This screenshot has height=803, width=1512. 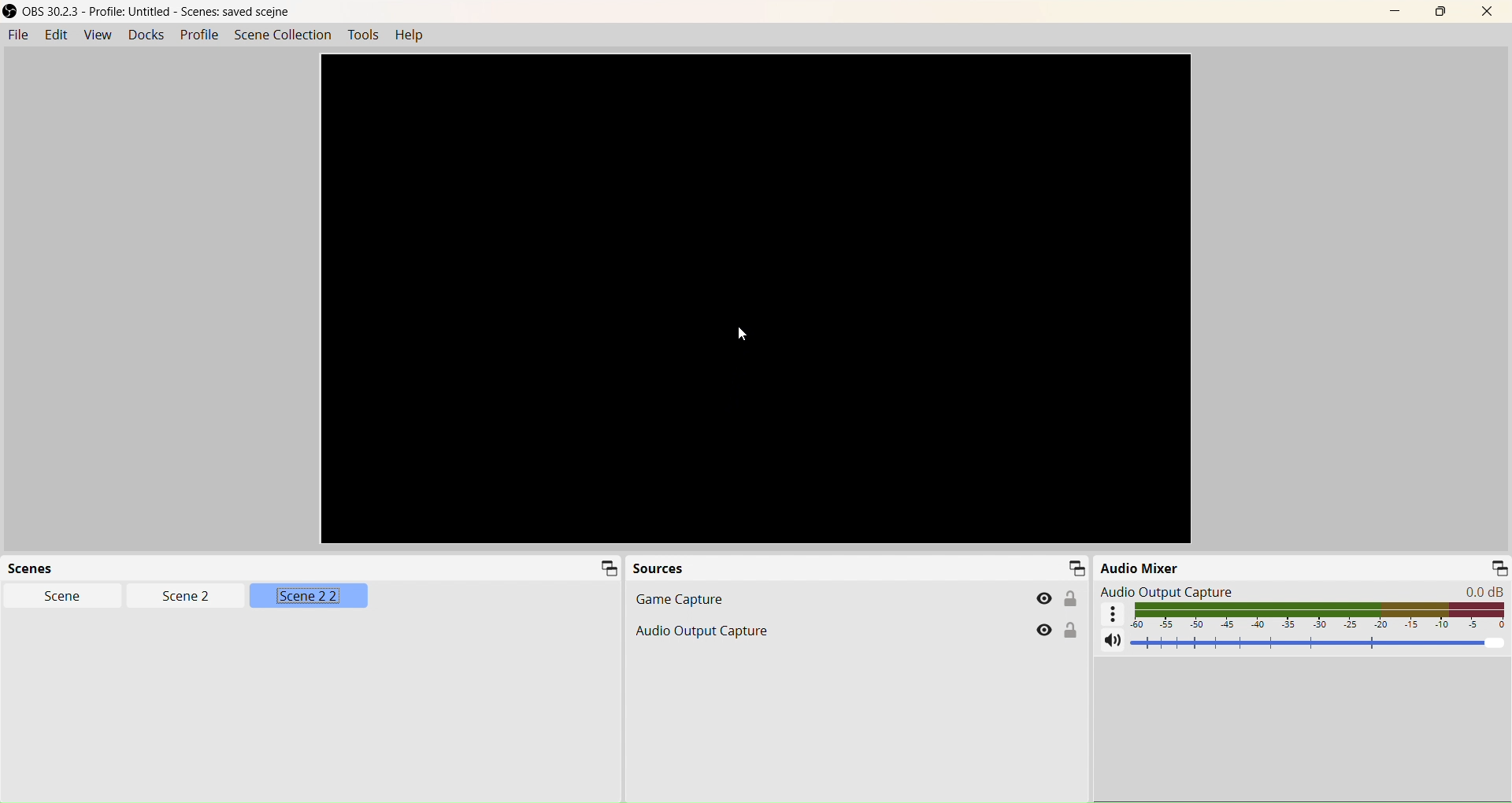 What do you see at coordinates (150, 11) in the screenshot?
I see `OBS 30.23 - Profile Untitled - Scene saved scejne` at bounding box center [150, 11].